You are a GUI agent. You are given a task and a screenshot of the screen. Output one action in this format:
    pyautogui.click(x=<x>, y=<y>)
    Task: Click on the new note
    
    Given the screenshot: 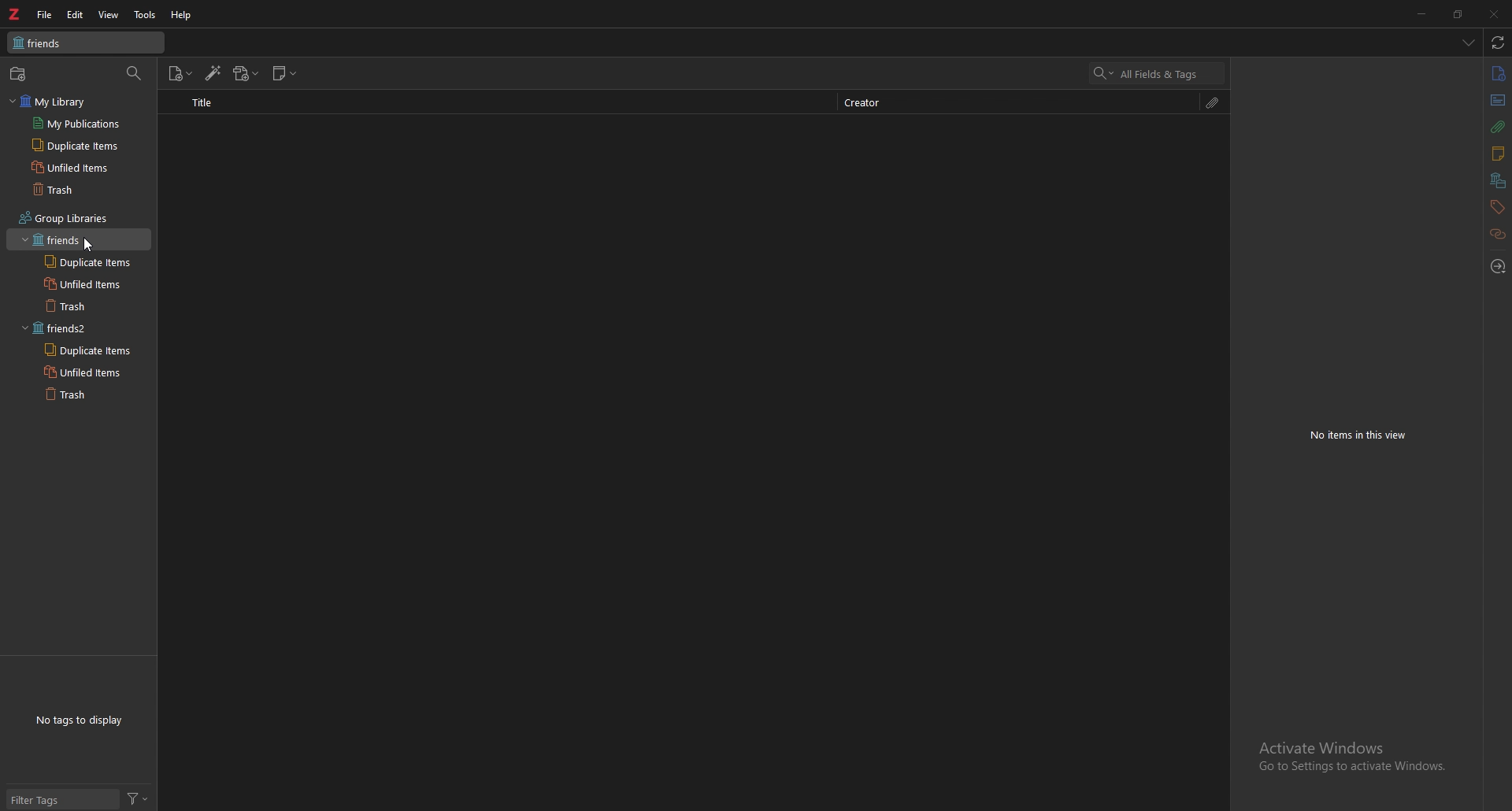 What is the action you would take?
    pyautogui.click(x=287, y=72)
    